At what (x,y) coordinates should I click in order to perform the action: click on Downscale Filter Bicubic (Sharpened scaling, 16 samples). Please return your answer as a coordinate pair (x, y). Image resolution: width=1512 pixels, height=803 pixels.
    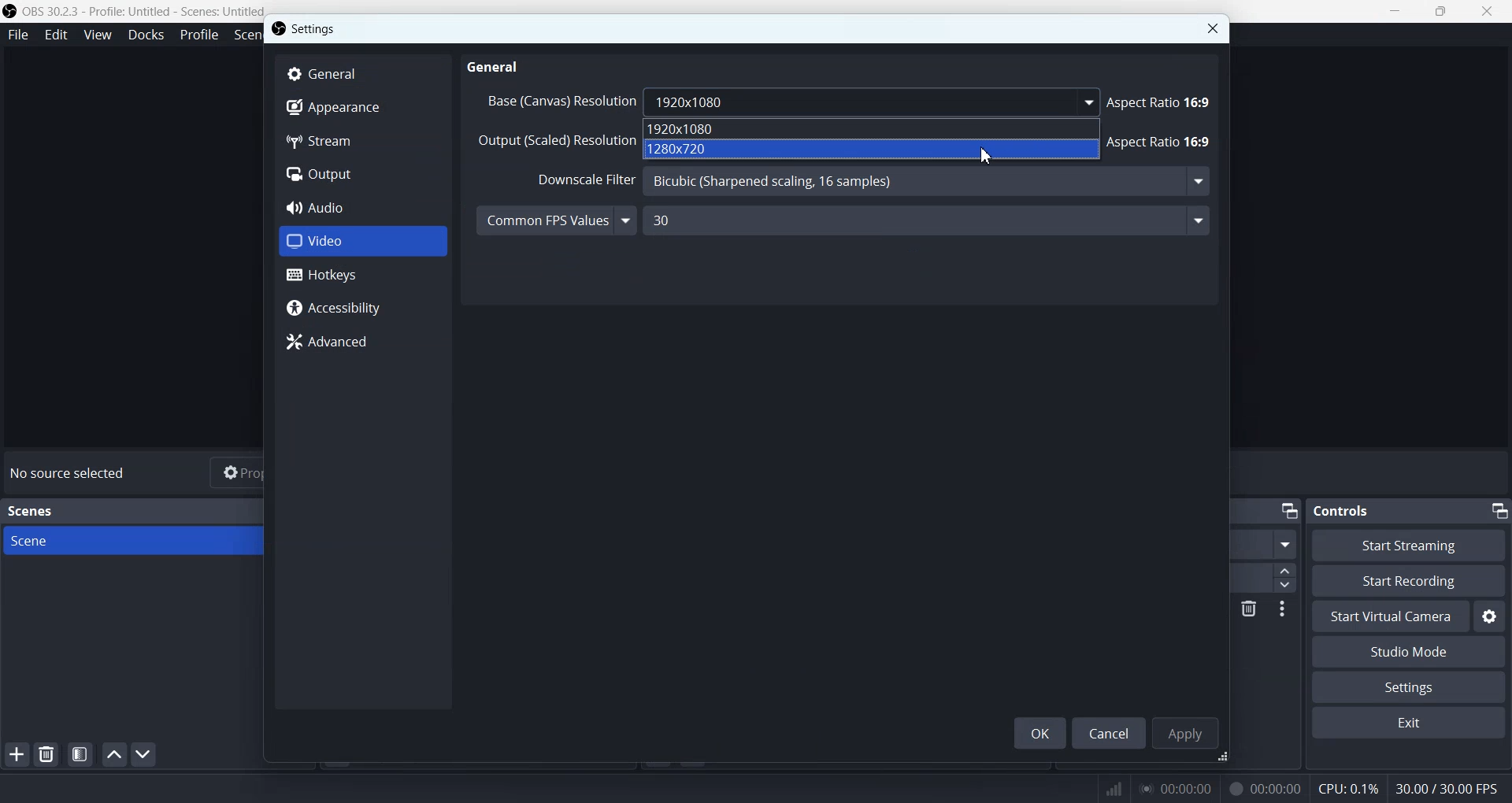
    Looking at the image, I should click on (862, 183).